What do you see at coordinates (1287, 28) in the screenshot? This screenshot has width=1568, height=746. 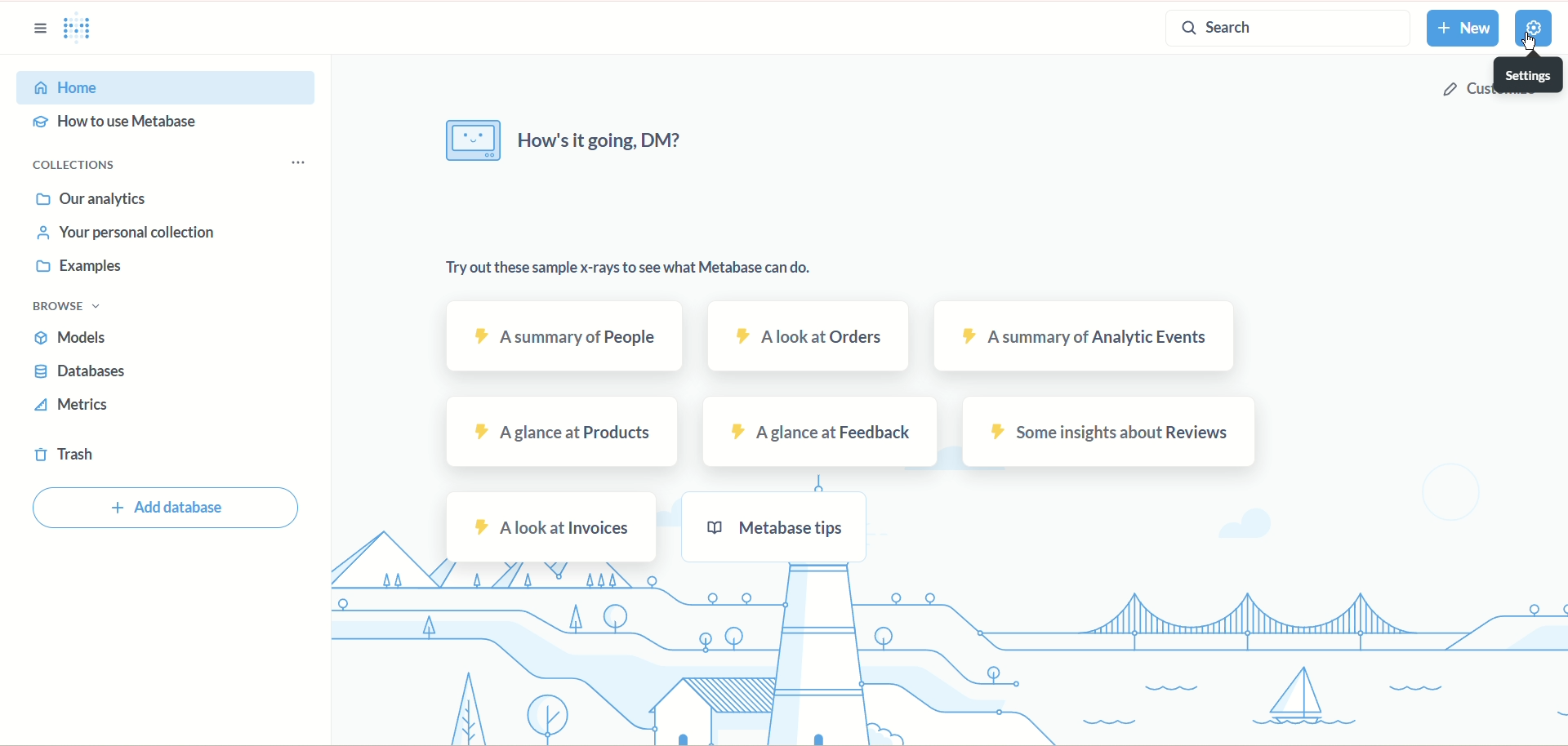 I see `search` at bounding box center [1287, 28].